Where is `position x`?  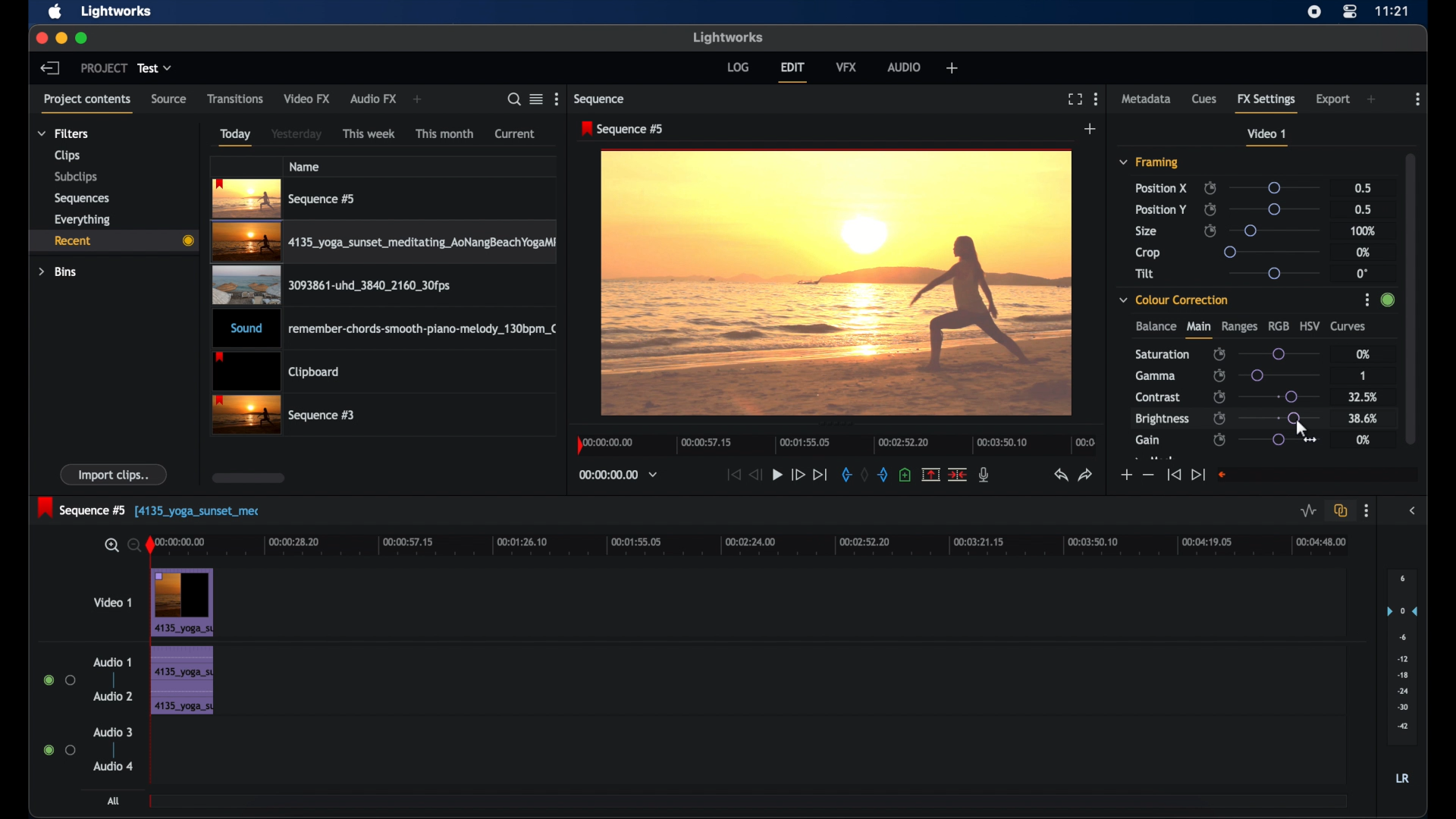
position x is located at coordinates (1161, 188).